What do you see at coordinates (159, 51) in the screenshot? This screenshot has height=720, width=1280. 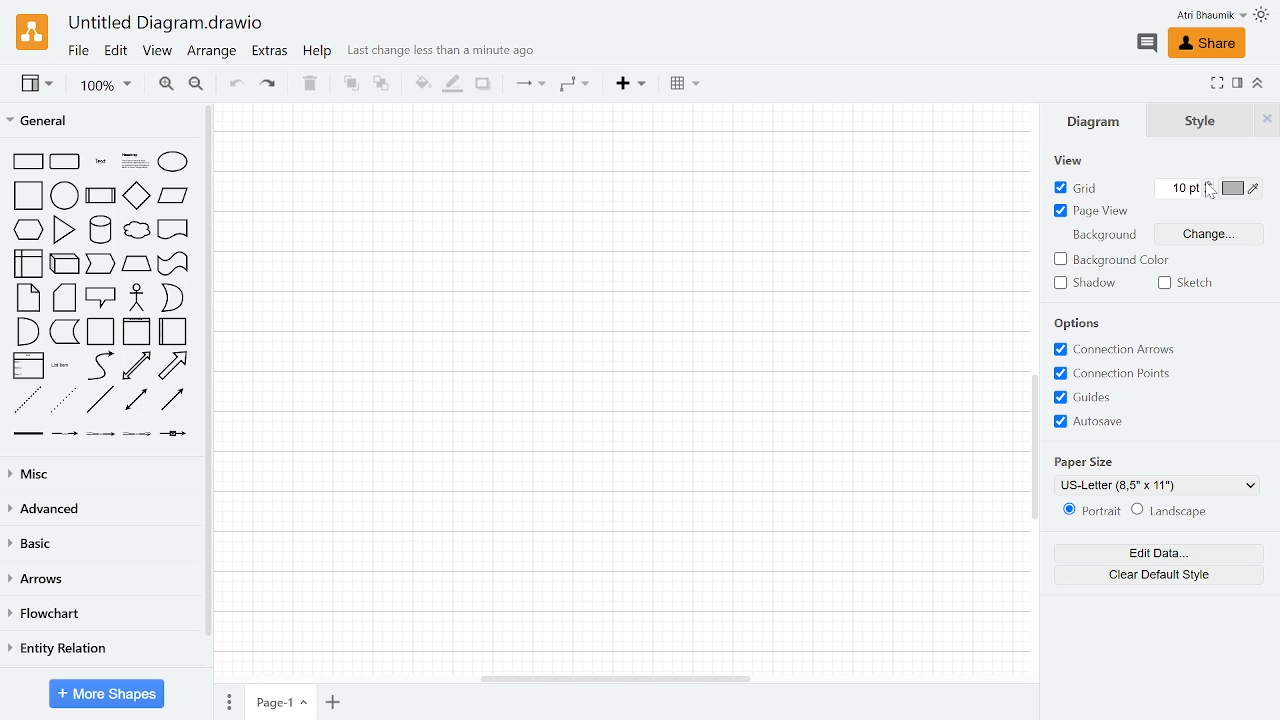 I see `View` at bounding box center [159, 51].